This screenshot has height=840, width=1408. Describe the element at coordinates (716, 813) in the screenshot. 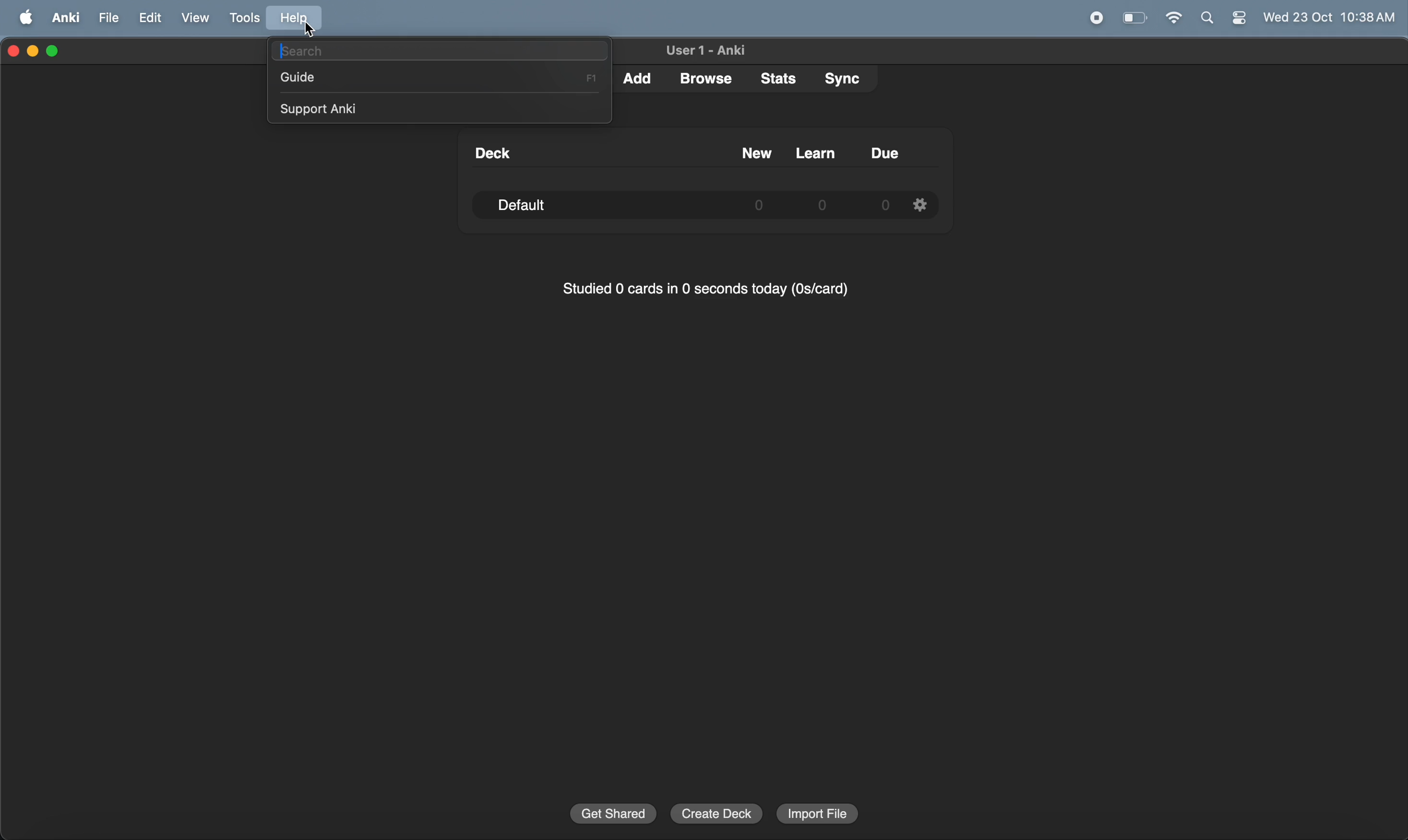

I see `create deck` at that location.